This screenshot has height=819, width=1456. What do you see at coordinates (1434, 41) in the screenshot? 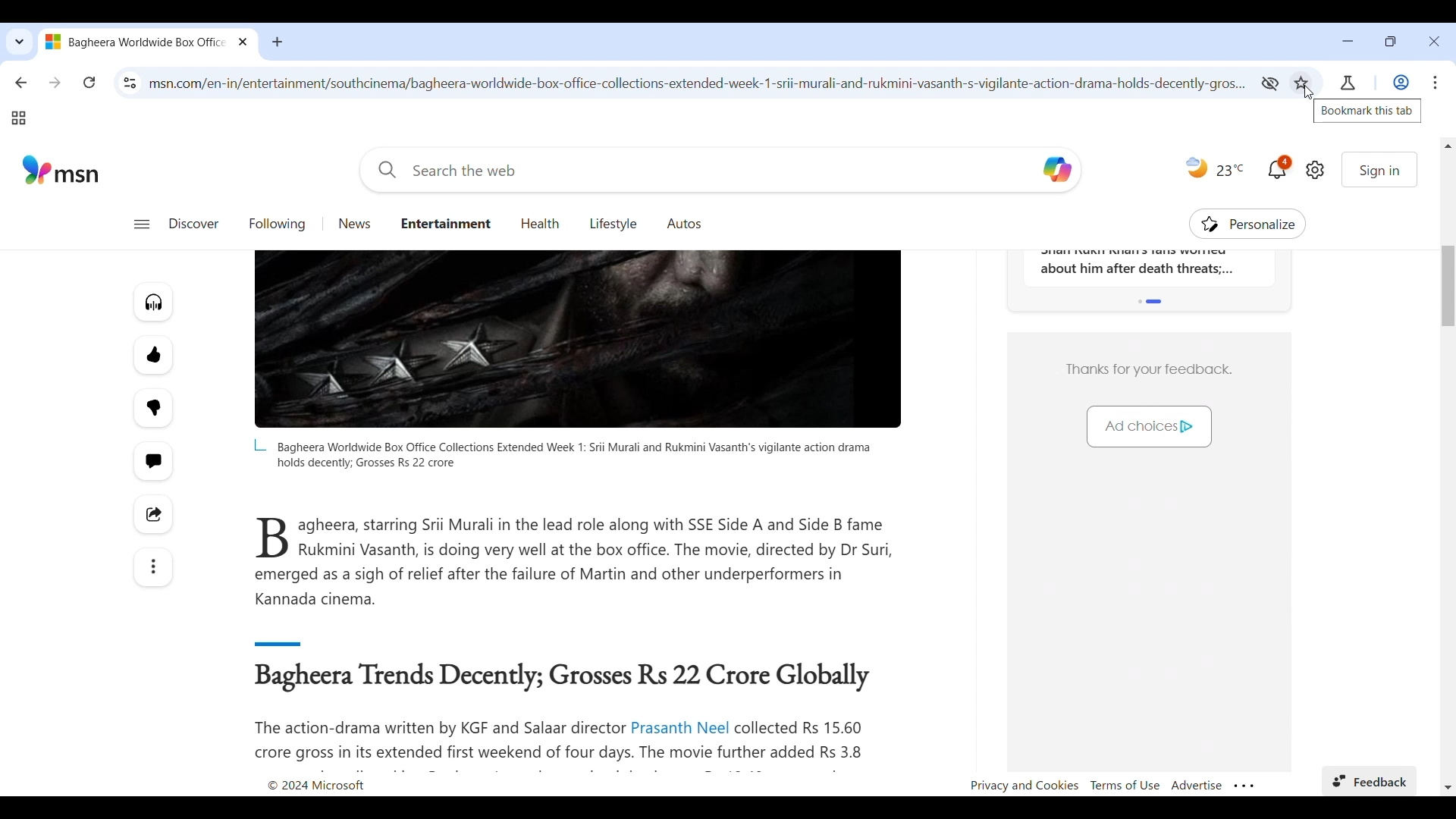
I see `Close interface ` at bounding box center [1434, 41].